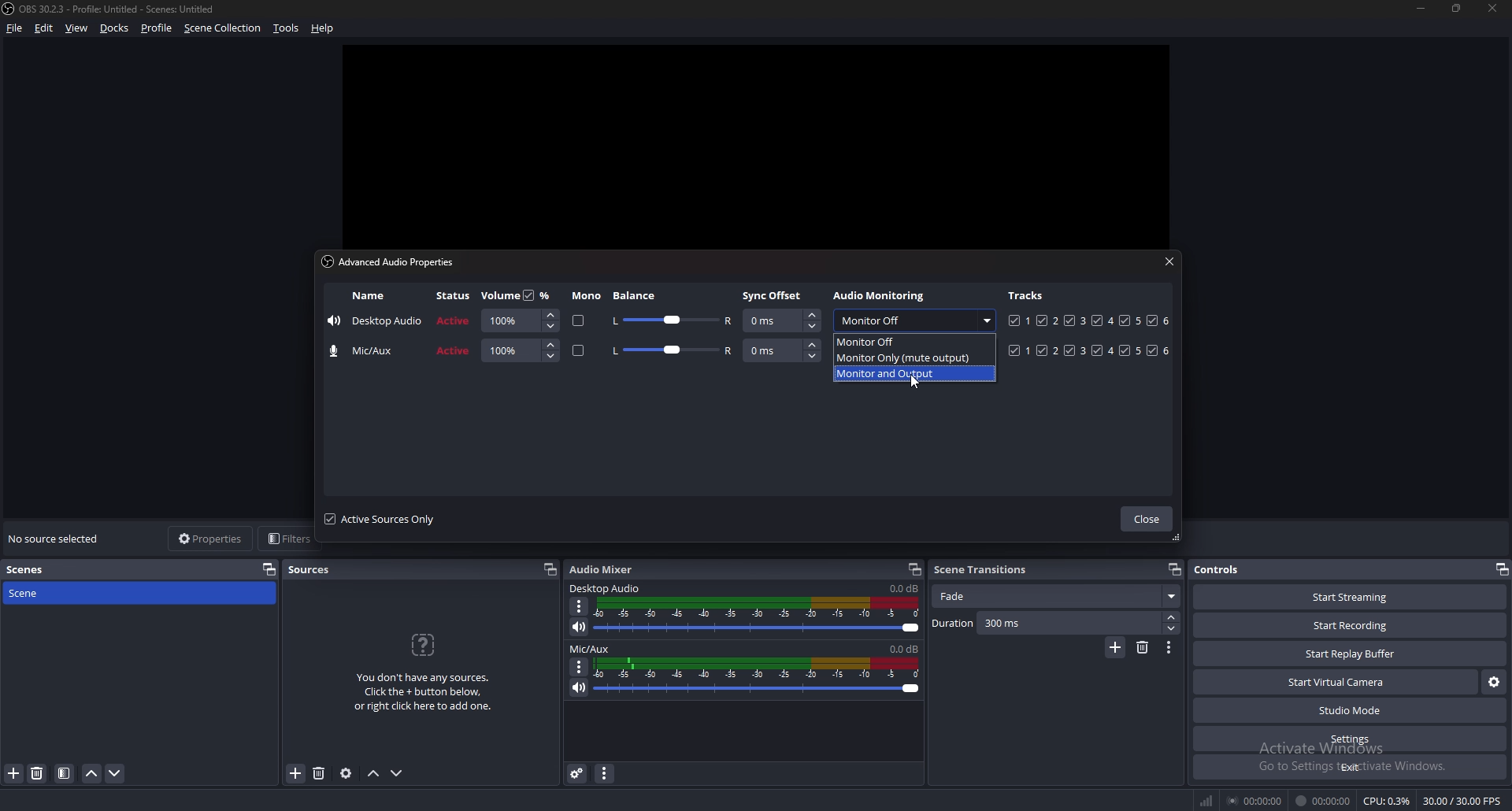 This screenshot has height=811, width=1512. What do you see at coordinates (91, 773) in the screenshot?
I see `move scene up` at bounding box center [91, 773].